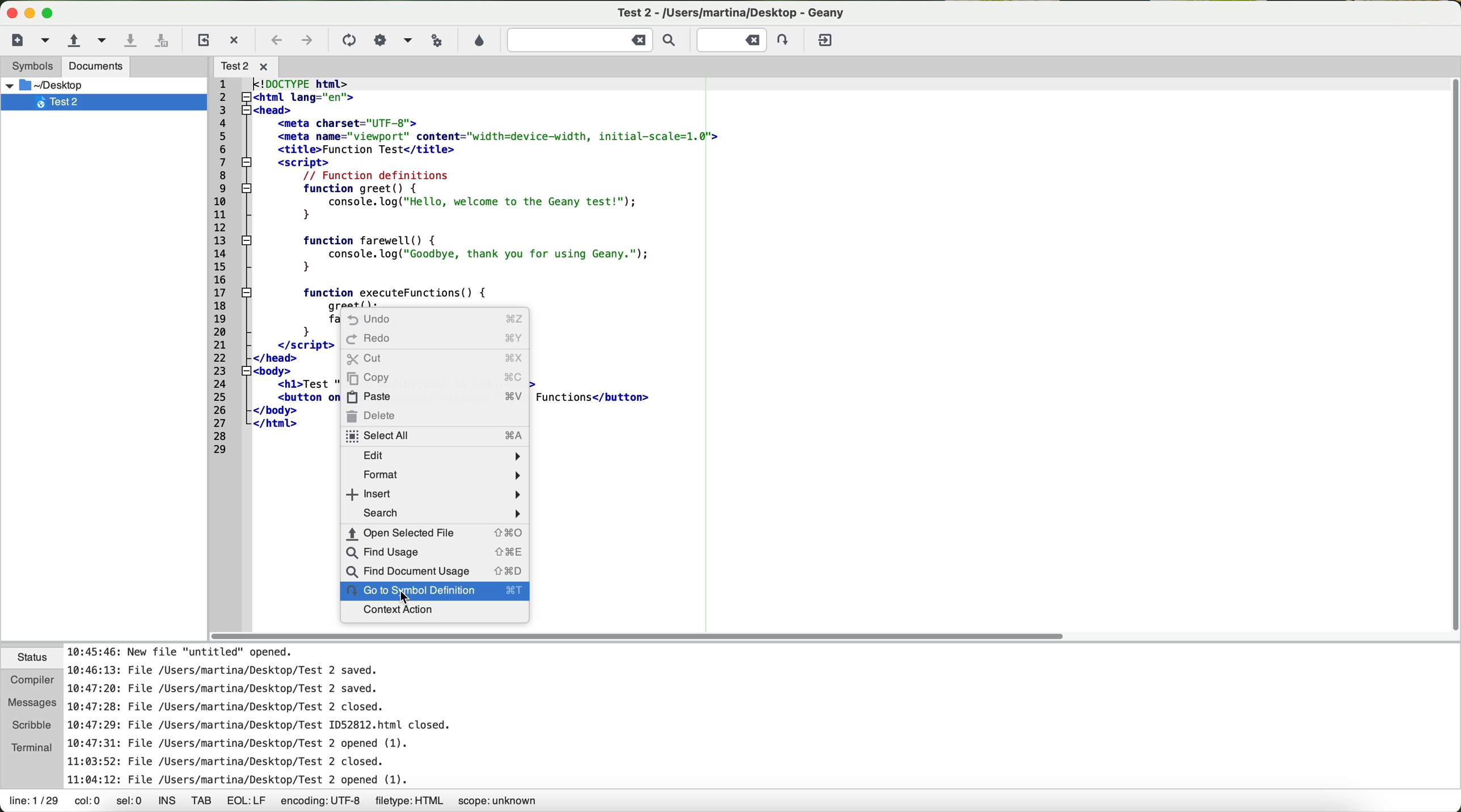  I want to click on maximize, so click(50, 14).